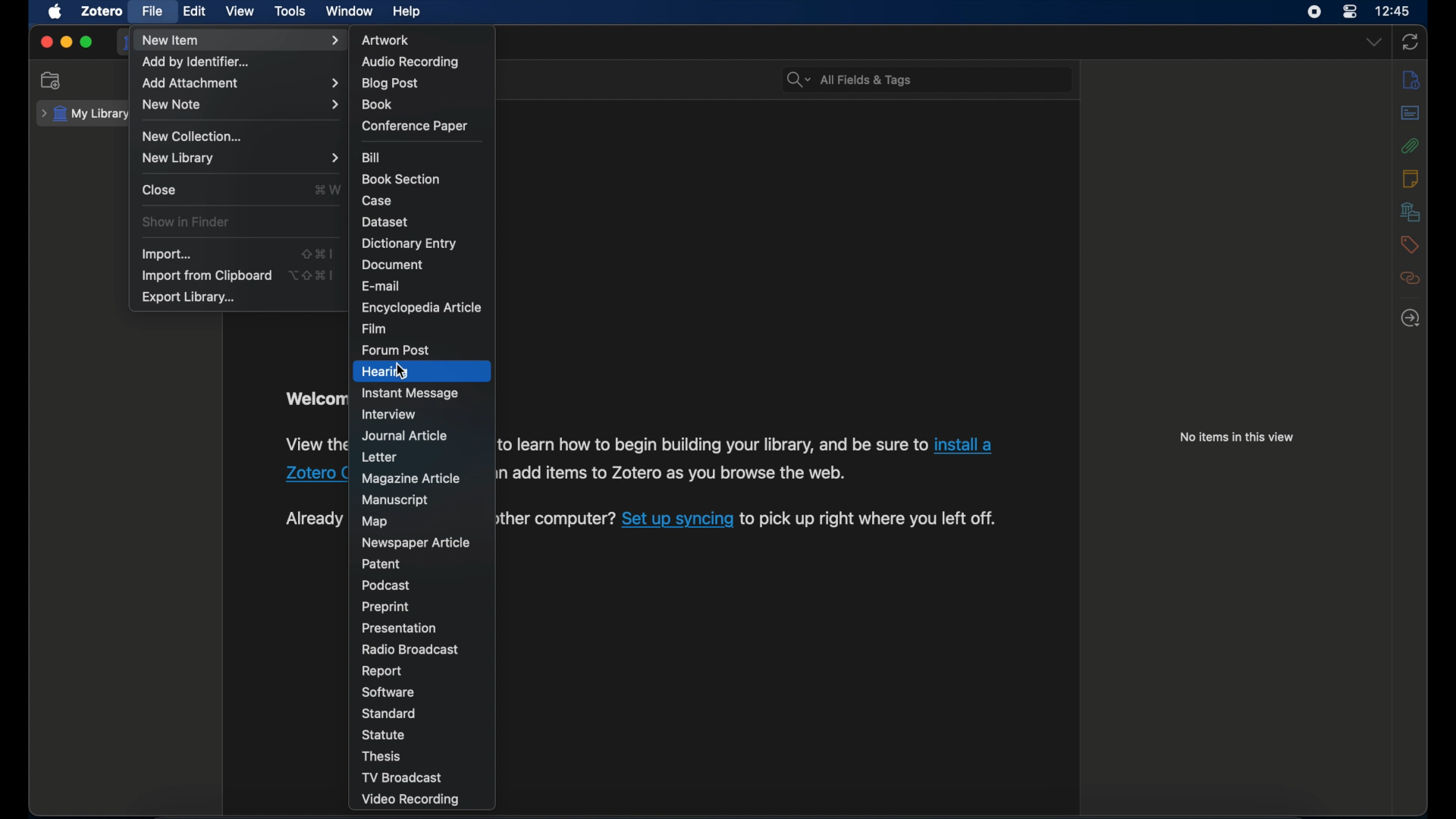 The width and height of the screenshot is (1456, 819). What do you see at coordinates (290, 11) in the screenshot?
I see `tools` at bounding box center [290, 11].